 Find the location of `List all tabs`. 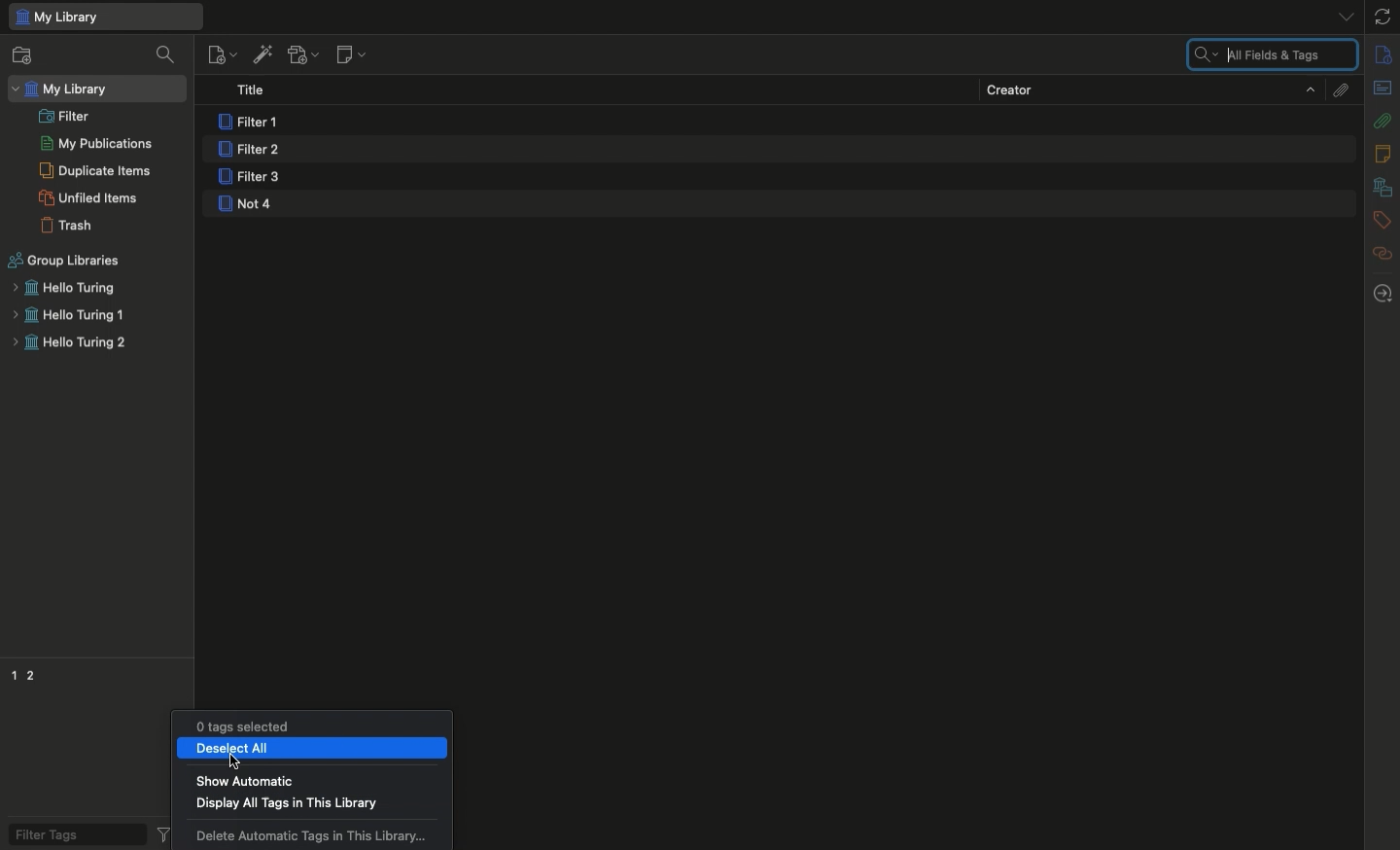

List all tabs is located at coordinates (1339, 16).